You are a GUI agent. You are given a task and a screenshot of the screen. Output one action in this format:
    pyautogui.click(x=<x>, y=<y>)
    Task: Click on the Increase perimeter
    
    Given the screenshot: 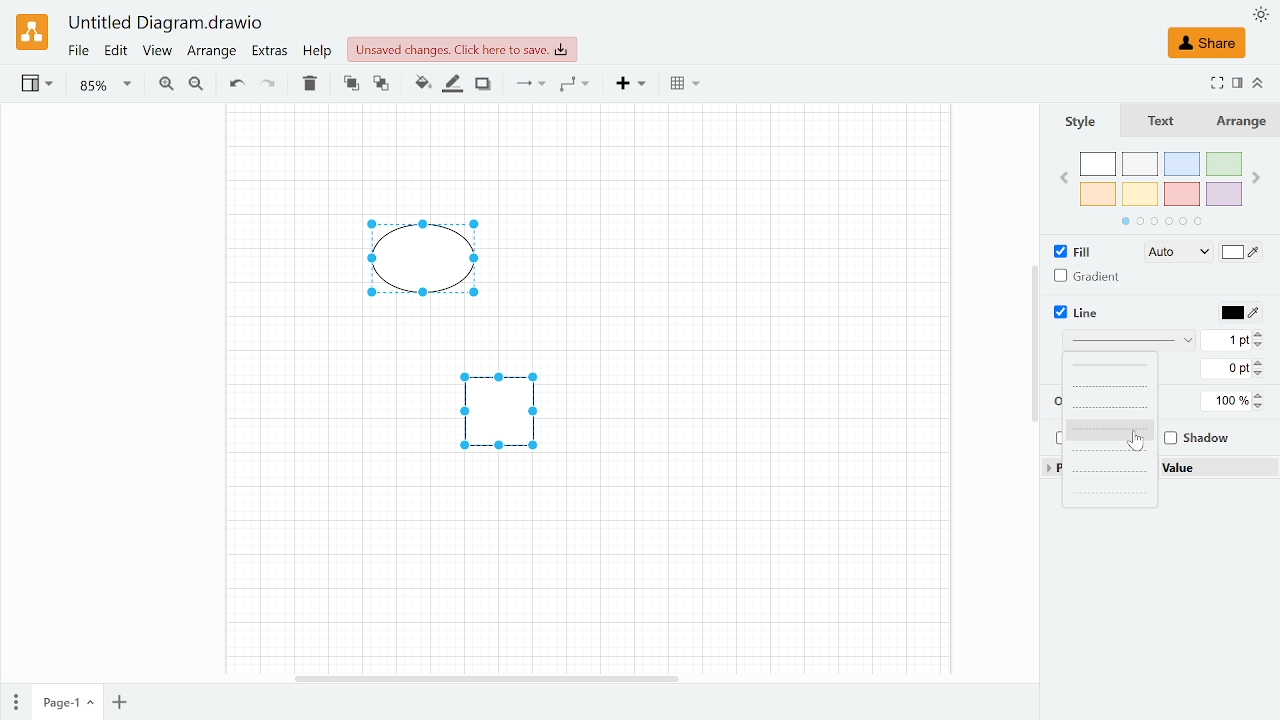 What is the action you would take?
    pyautogui.click(x=1262, y=361)
    